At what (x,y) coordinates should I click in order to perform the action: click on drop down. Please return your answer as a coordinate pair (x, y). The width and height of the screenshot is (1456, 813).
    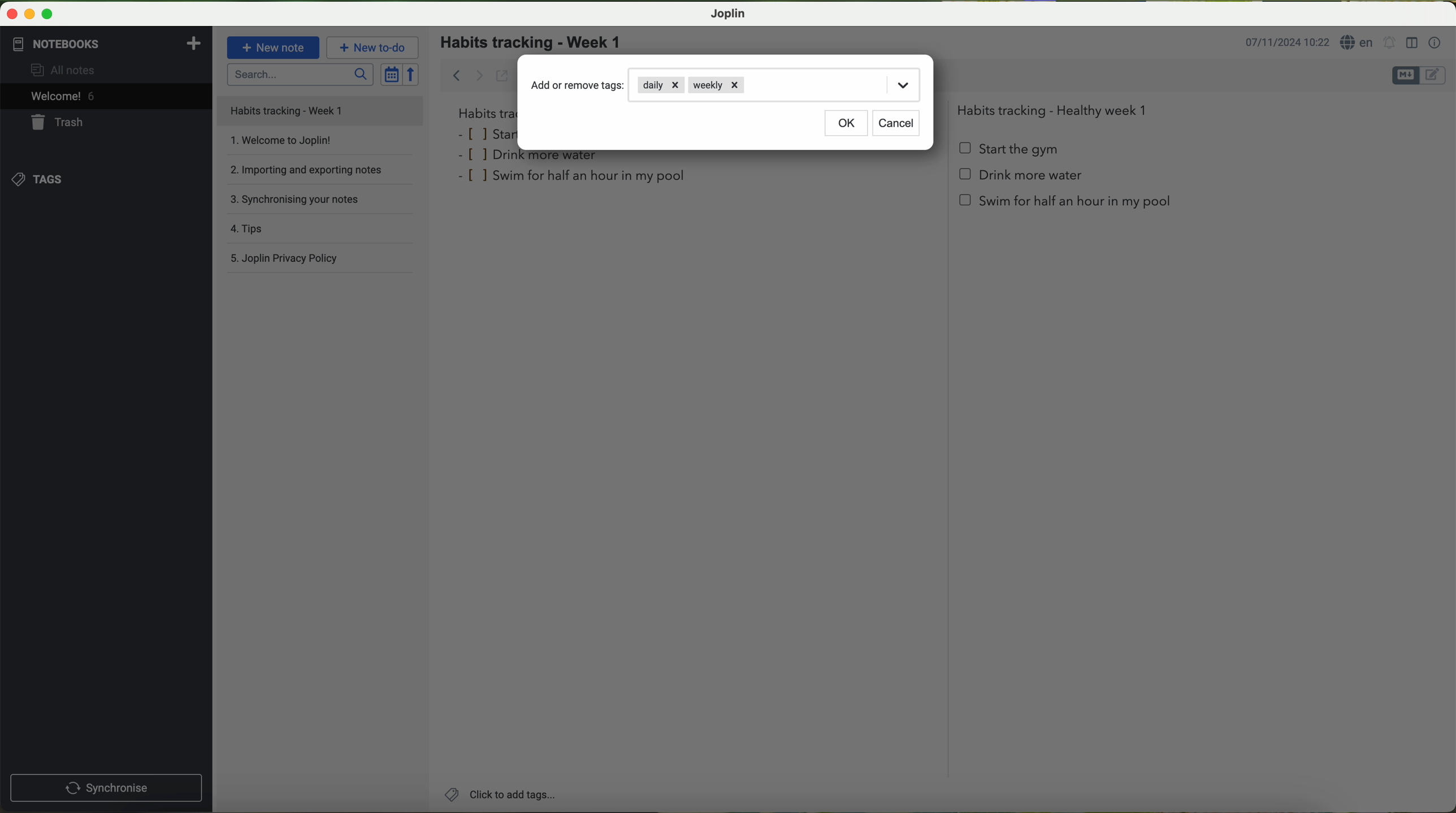
    Looking at the image, I should click on (903, 84).